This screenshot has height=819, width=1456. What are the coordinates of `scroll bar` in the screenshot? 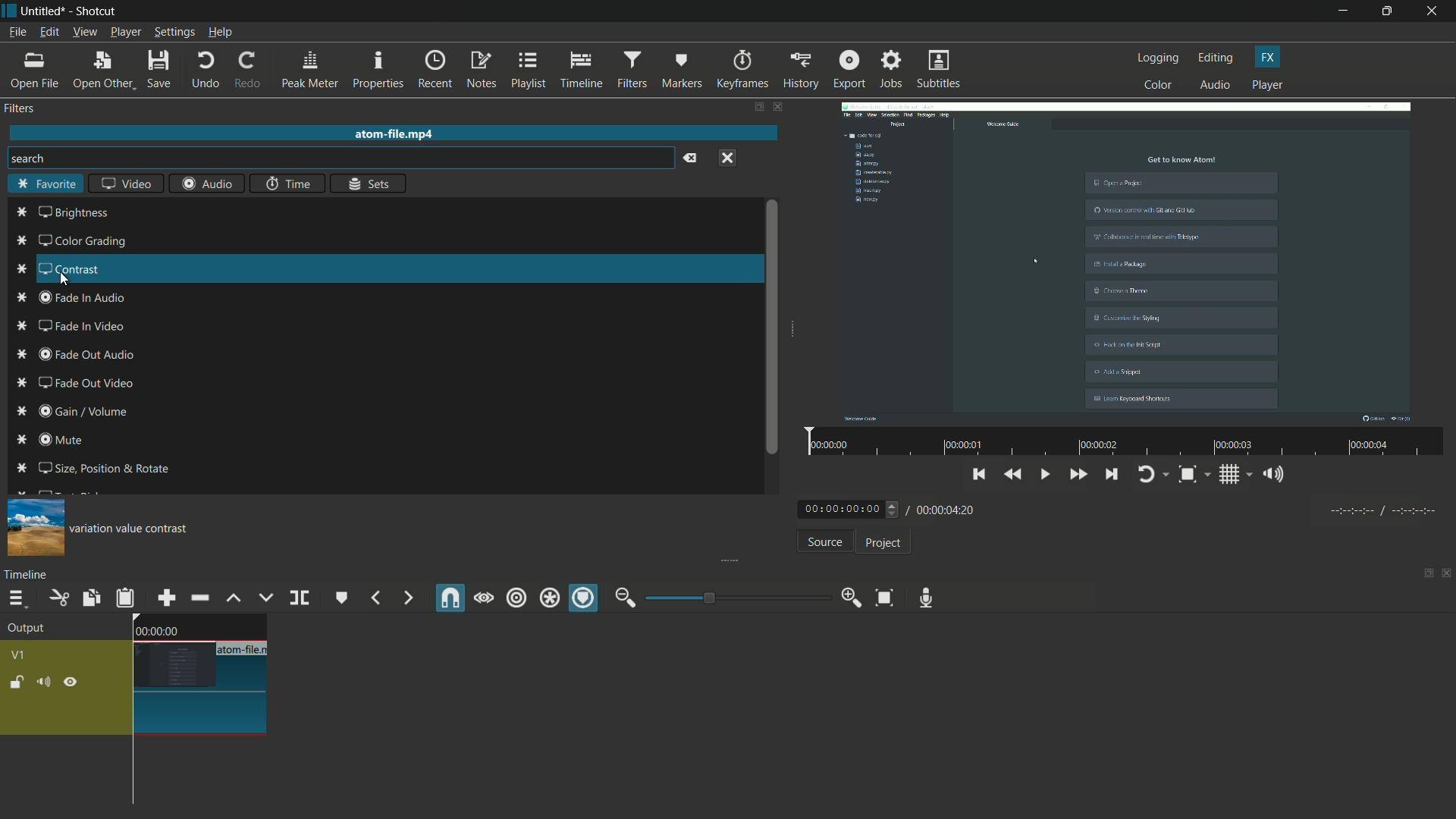 It's located at (768, 328).